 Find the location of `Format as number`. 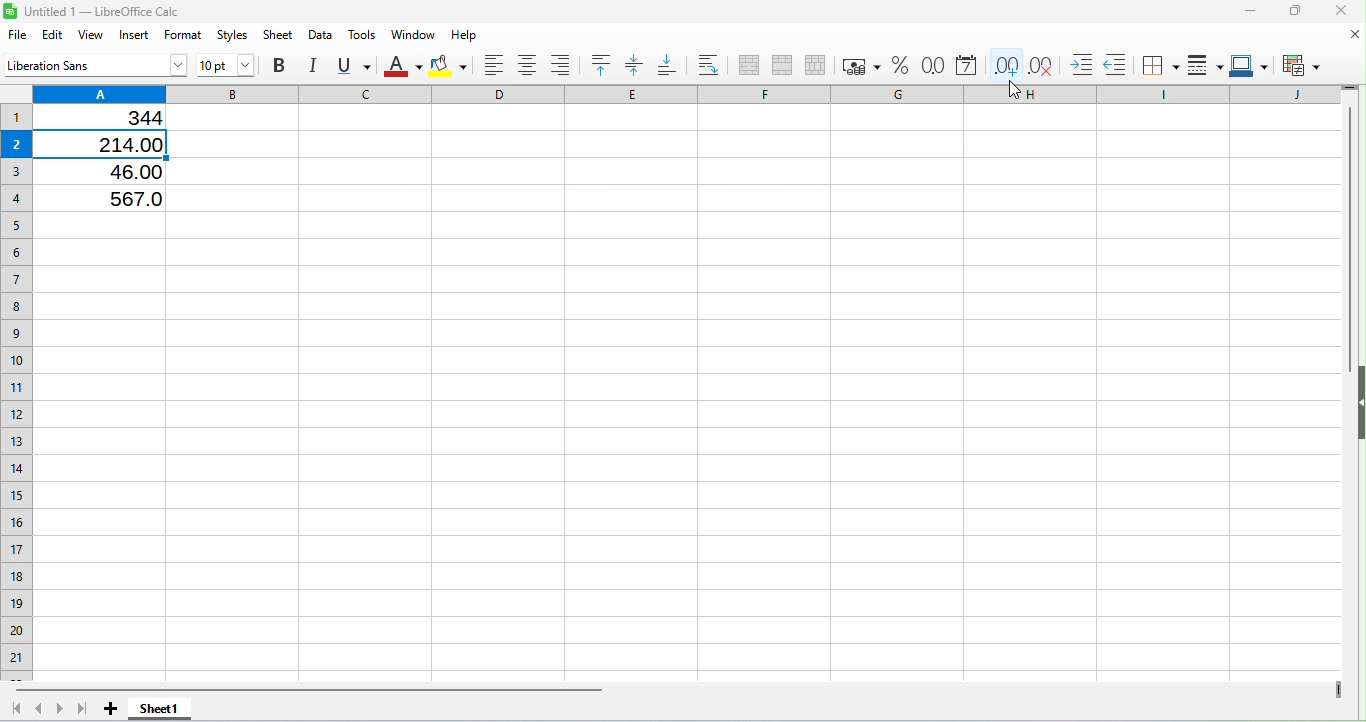

Format as number is located at coordinates (929, 63).